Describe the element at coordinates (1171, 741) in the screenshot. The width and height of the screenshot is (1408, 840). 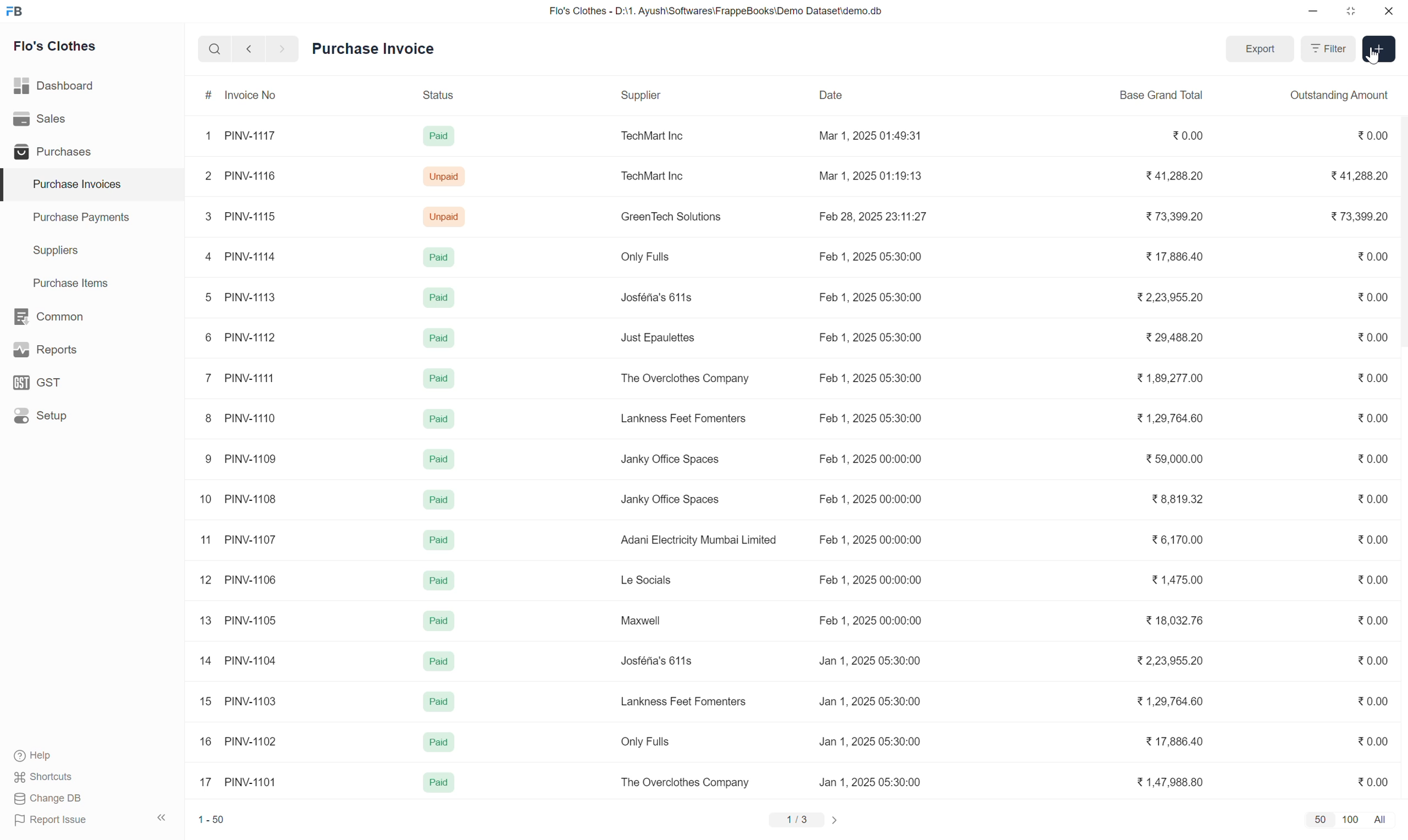
I see `17,886.40` at that location.